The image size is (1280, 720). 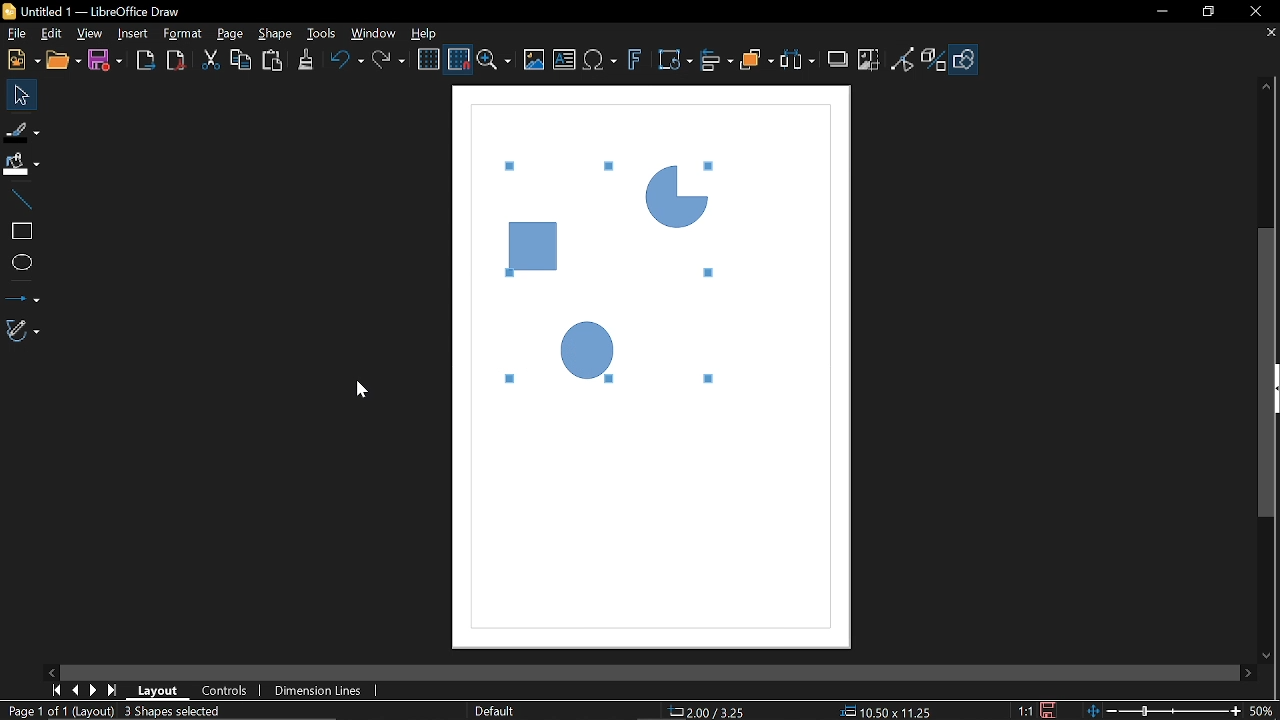 I want to click on Export as pdf, so click(x=178, y=61).